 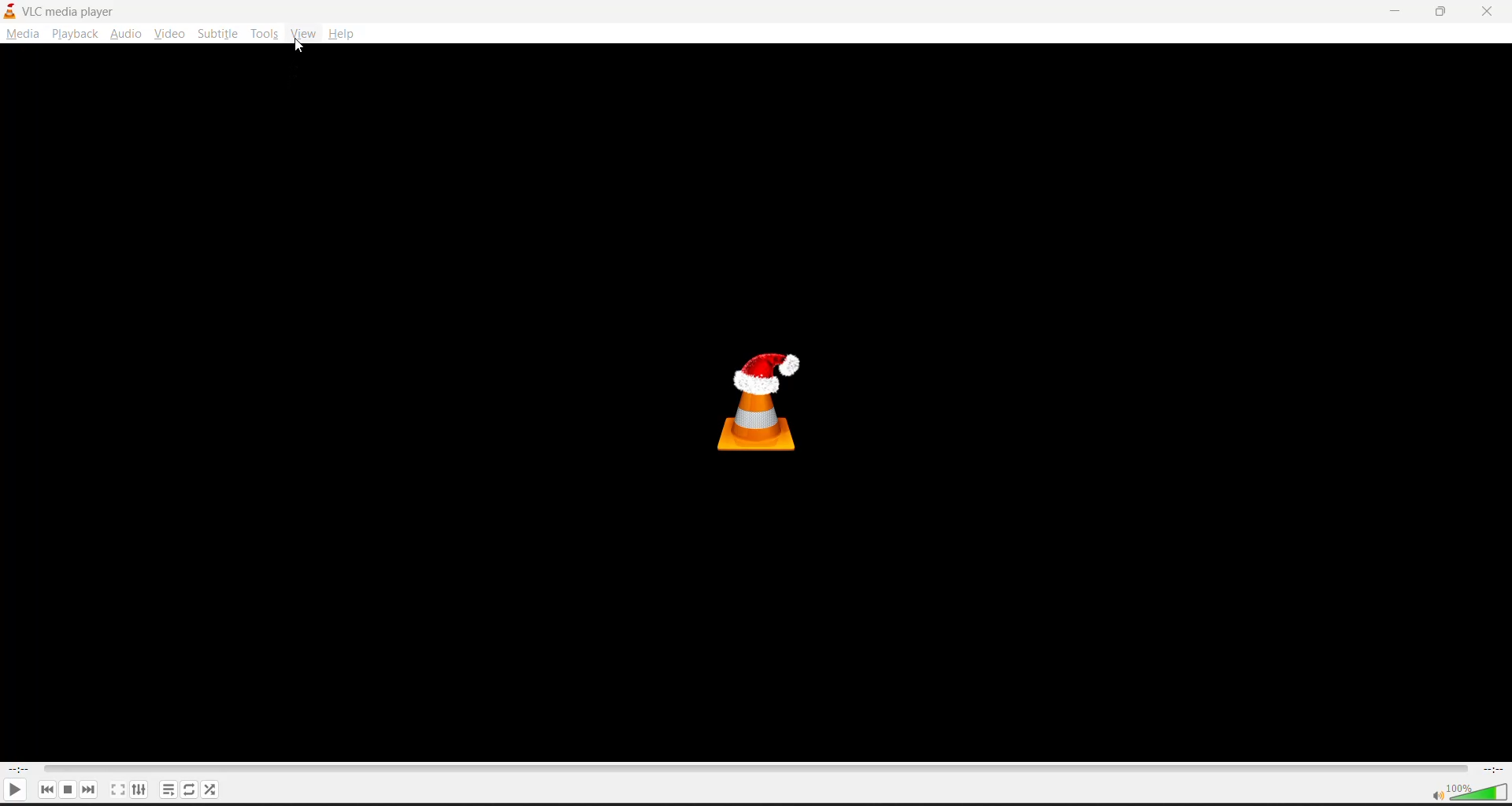 I want to click on video, so click(x=169, y=33).